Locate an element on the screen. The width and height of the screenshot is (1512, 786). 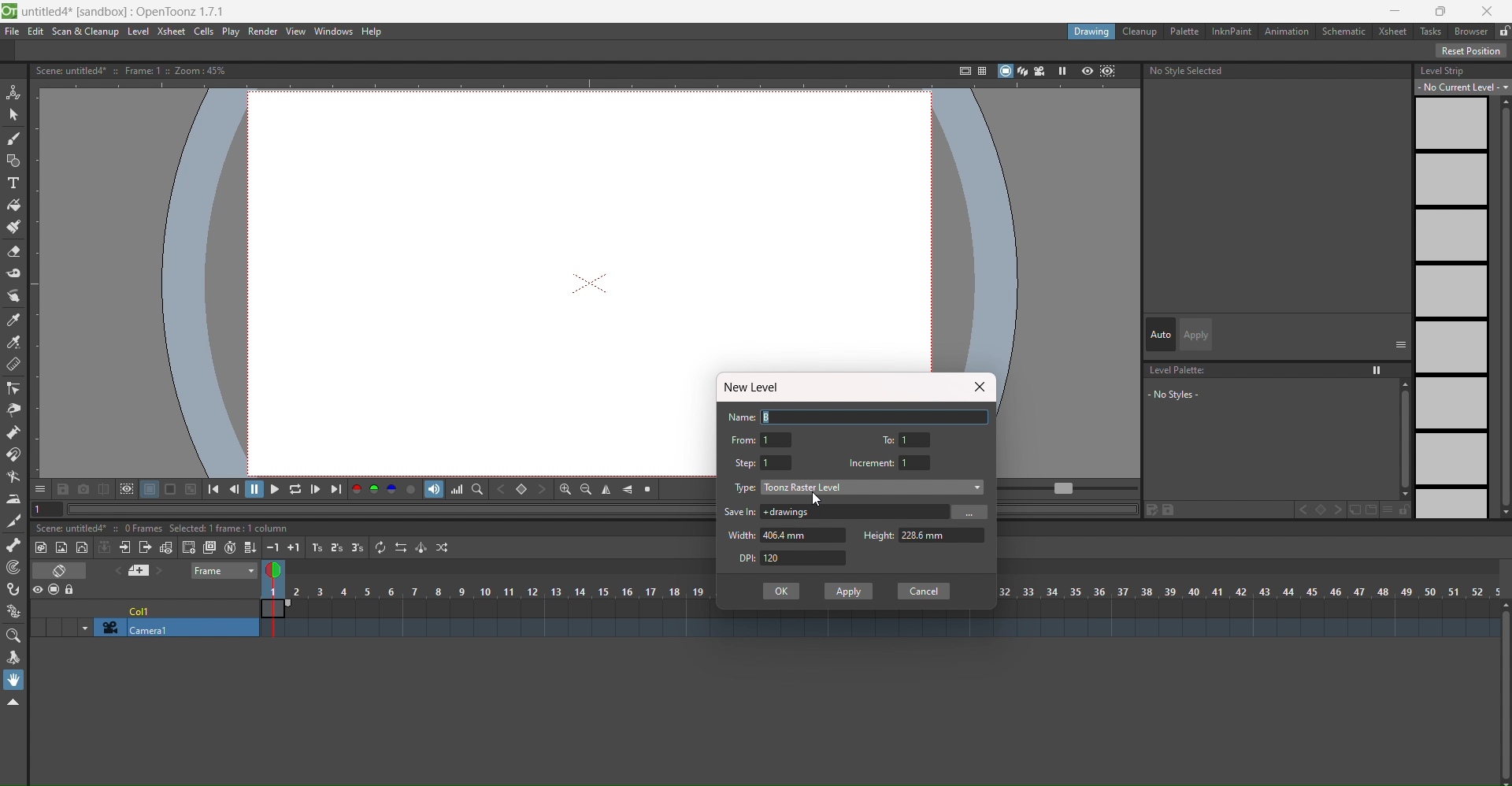
from is located at coordinates (743, 439).